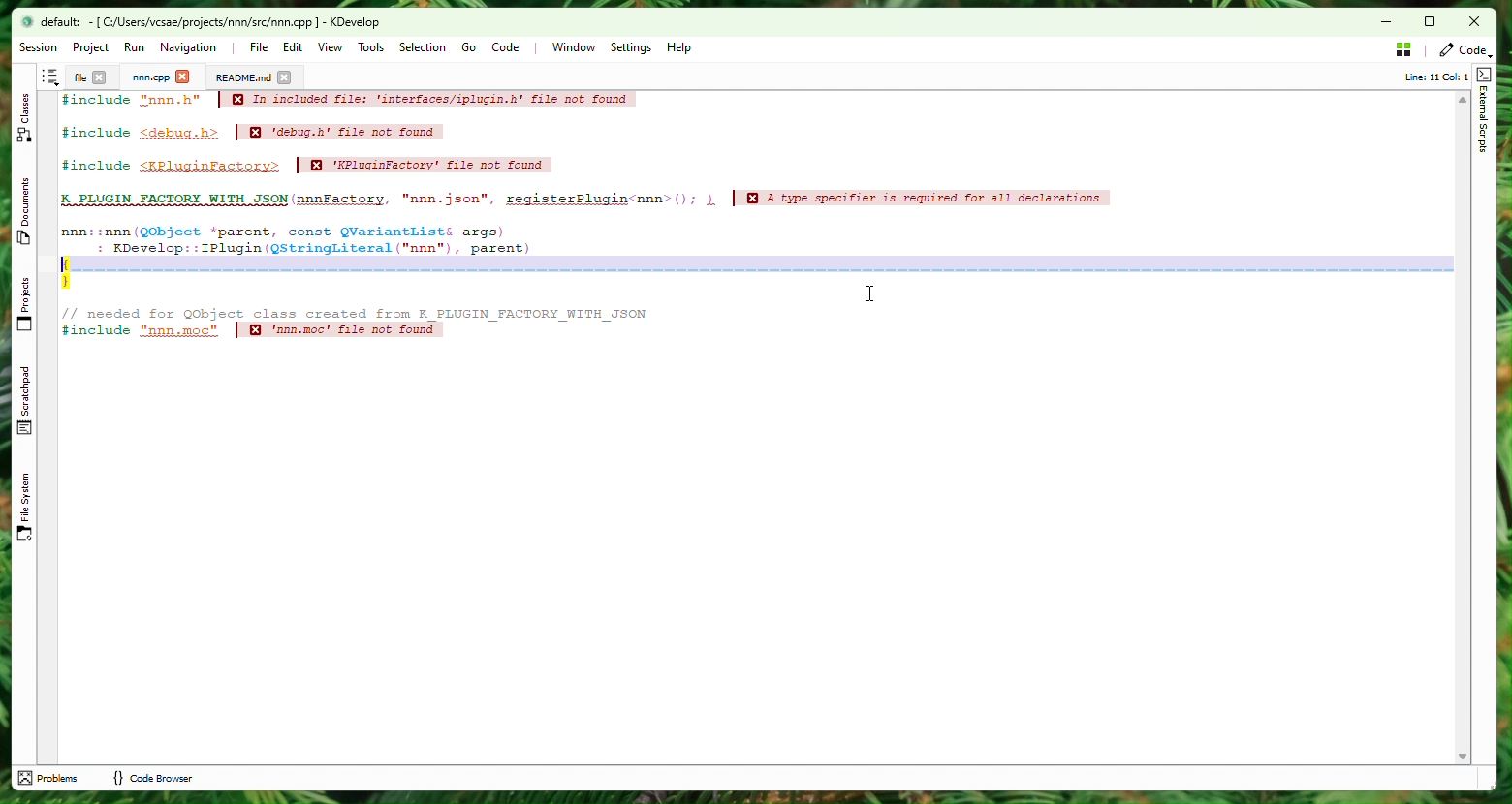 This screenshot has width=1512, height=804. I want to click on close tab, so click(100, 78).